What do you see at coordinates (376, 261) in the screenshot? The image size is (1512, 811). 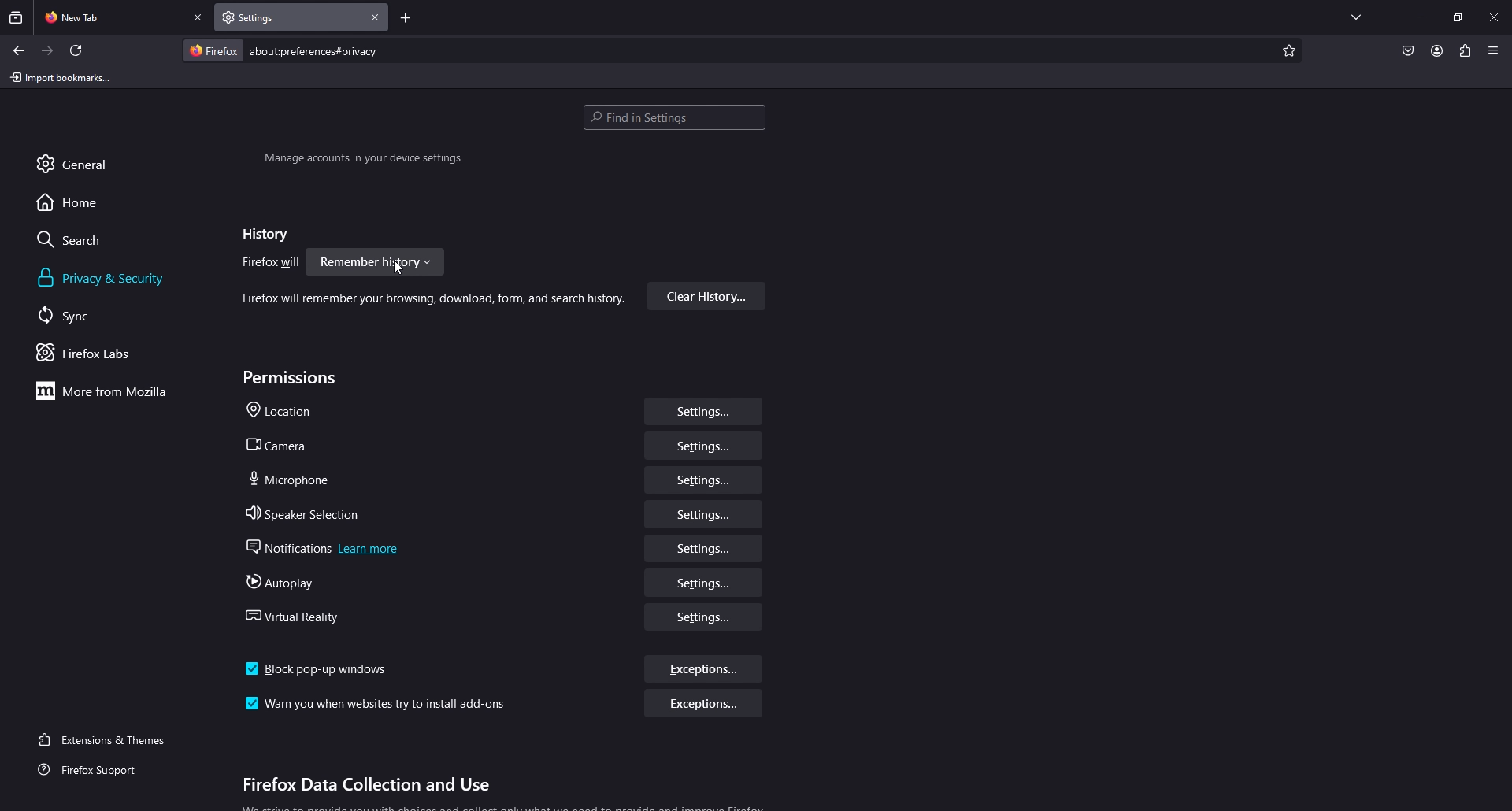 I see `Remember history` at bounding box center [376, 261].